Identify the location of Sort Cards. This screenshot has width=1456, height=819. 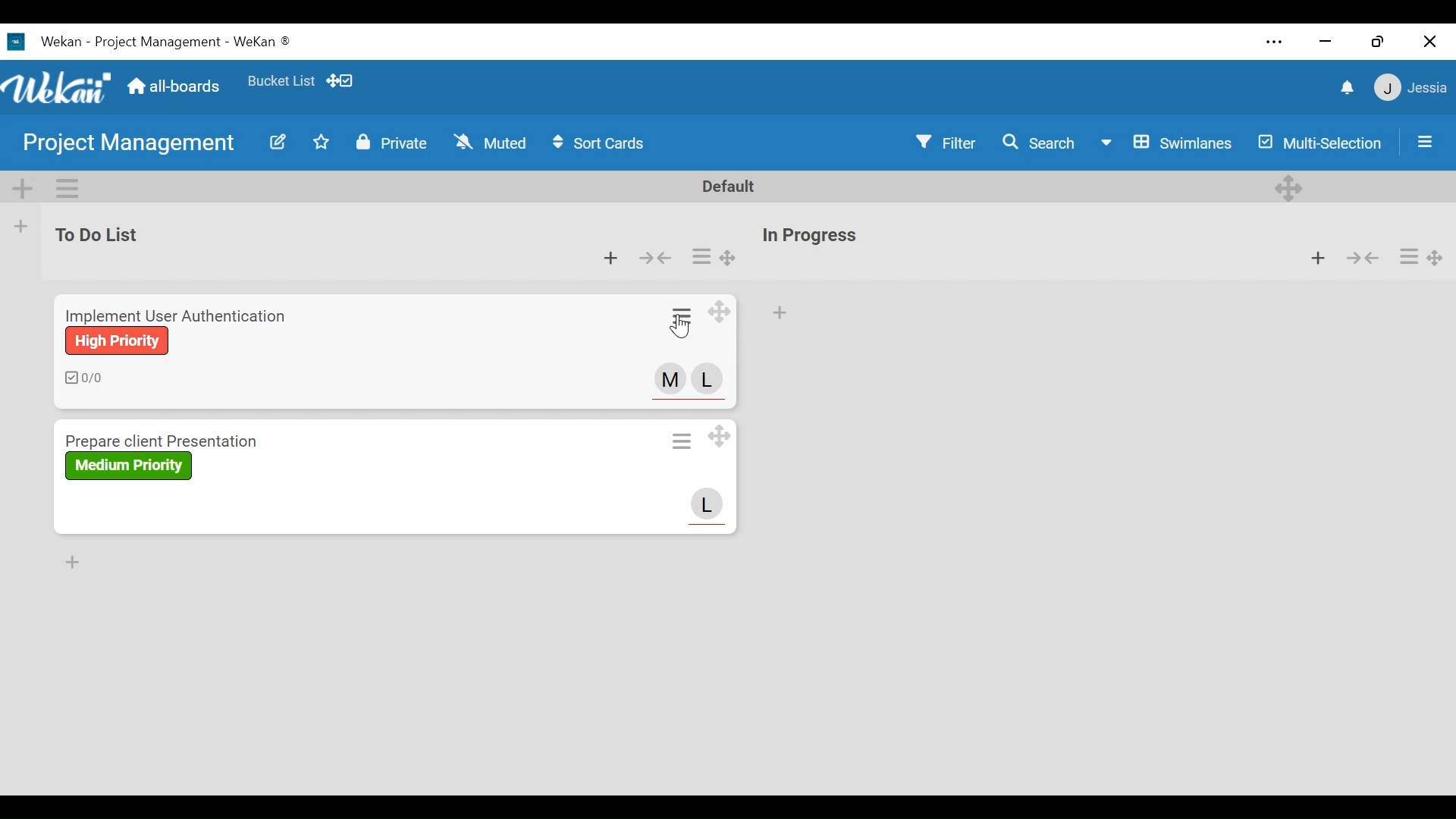
(602, 143).